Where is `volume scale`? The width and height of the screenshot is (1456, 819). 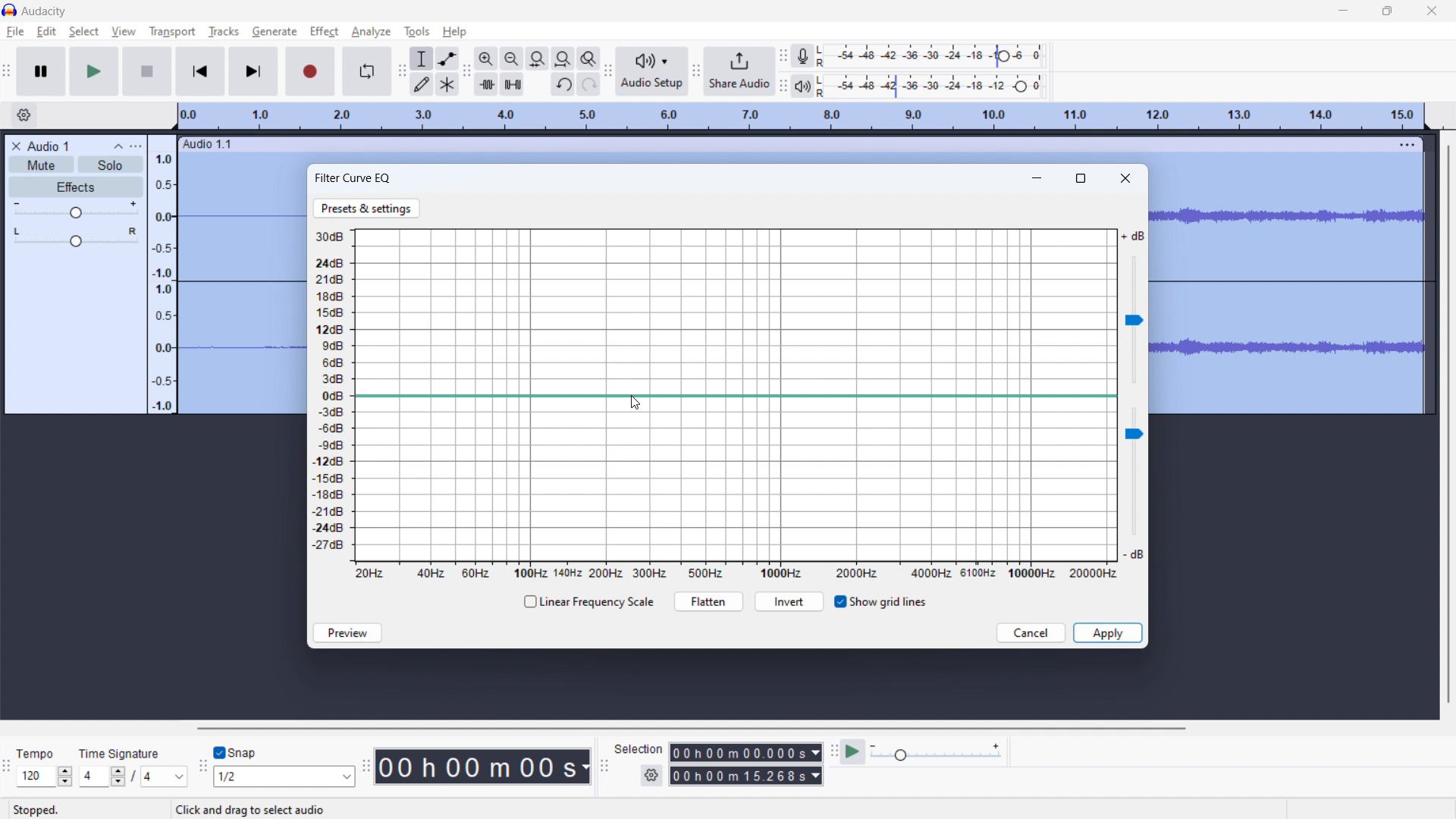 volume scale is located at coordinates (328, 395).